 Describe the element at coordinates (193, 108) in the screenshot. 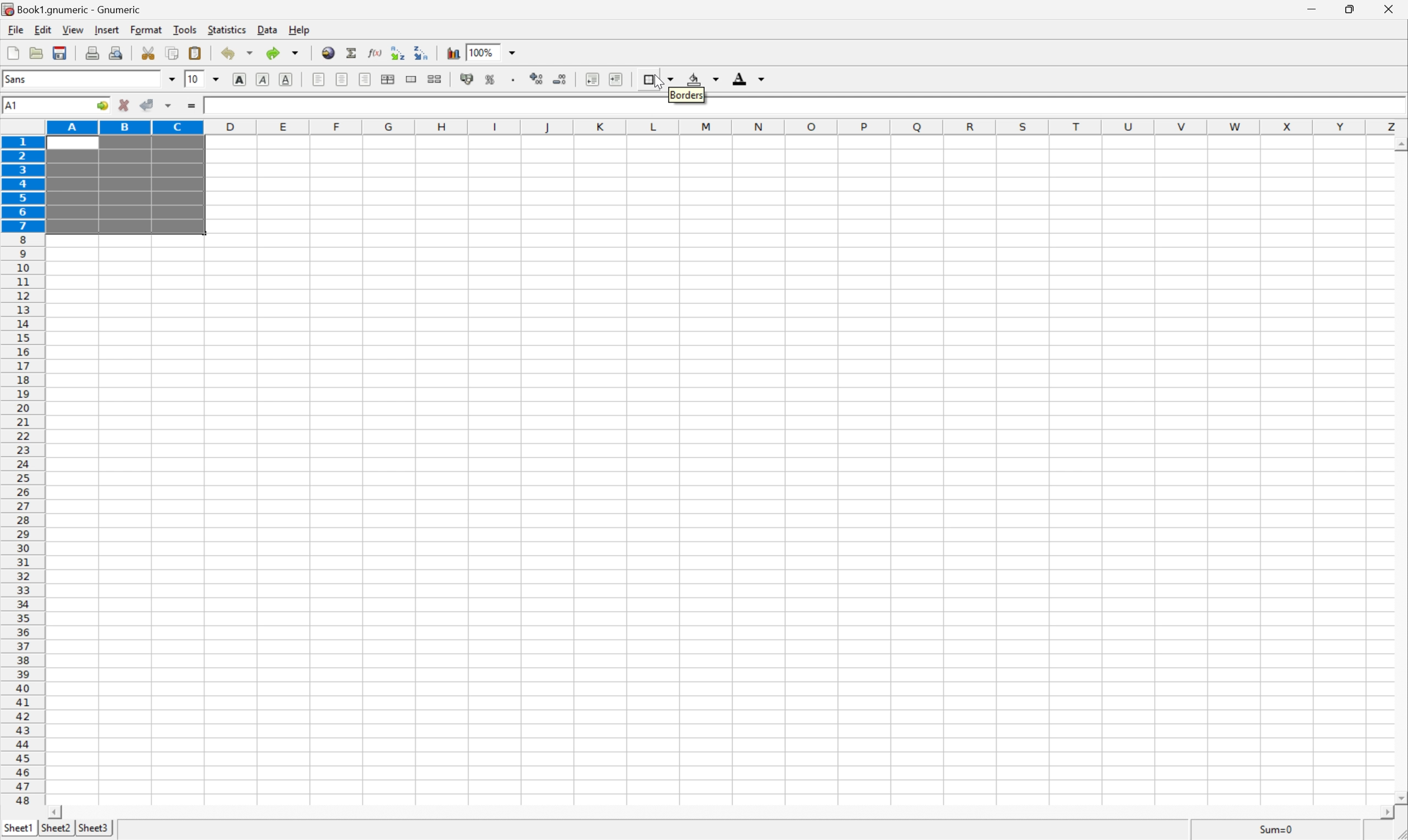

I see `enter formula` at that location.